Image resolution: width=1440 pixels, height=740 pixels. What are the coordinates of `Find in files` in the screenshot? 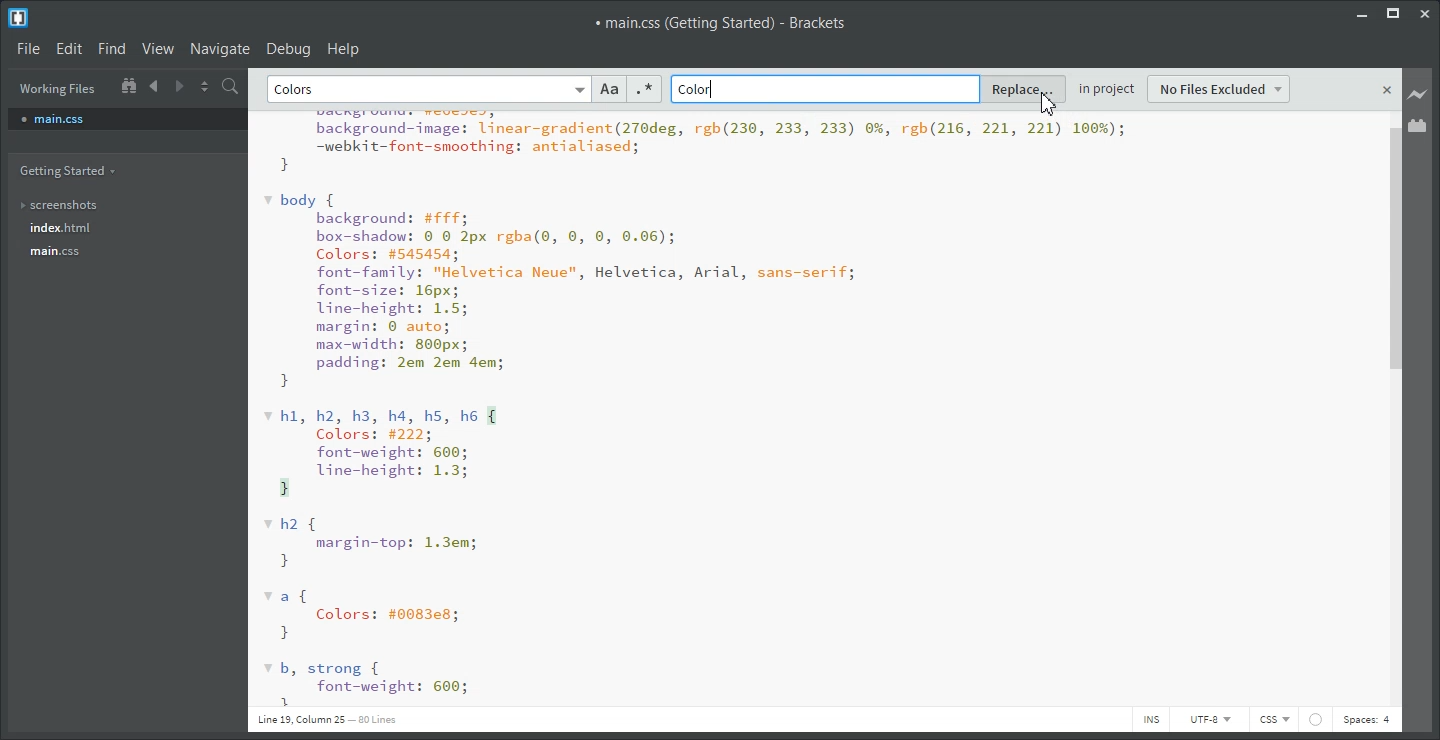 It's located at (234, 86).